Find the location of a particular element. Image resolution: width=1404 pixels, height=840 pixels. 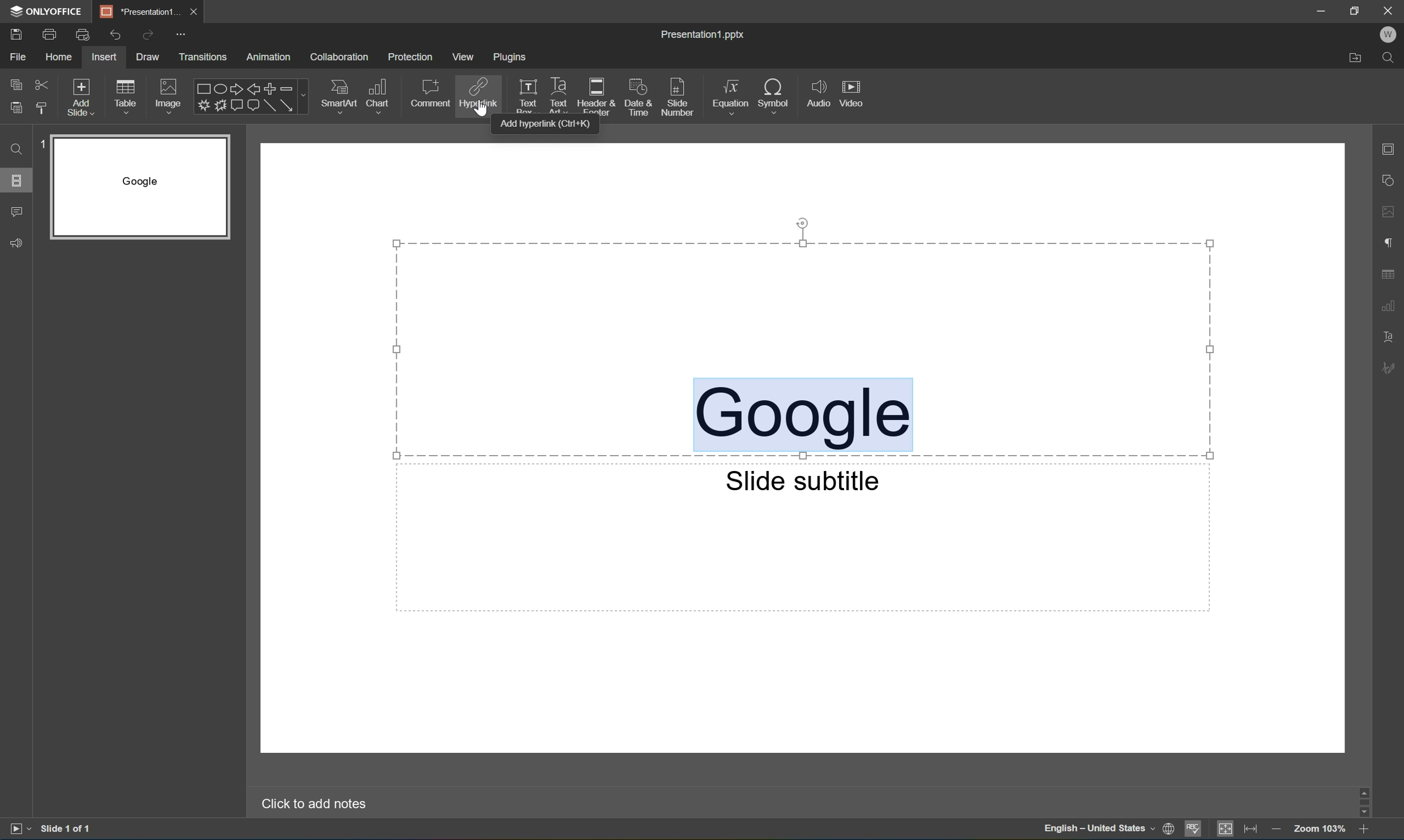

Copy is located at coordinates (15, 83).